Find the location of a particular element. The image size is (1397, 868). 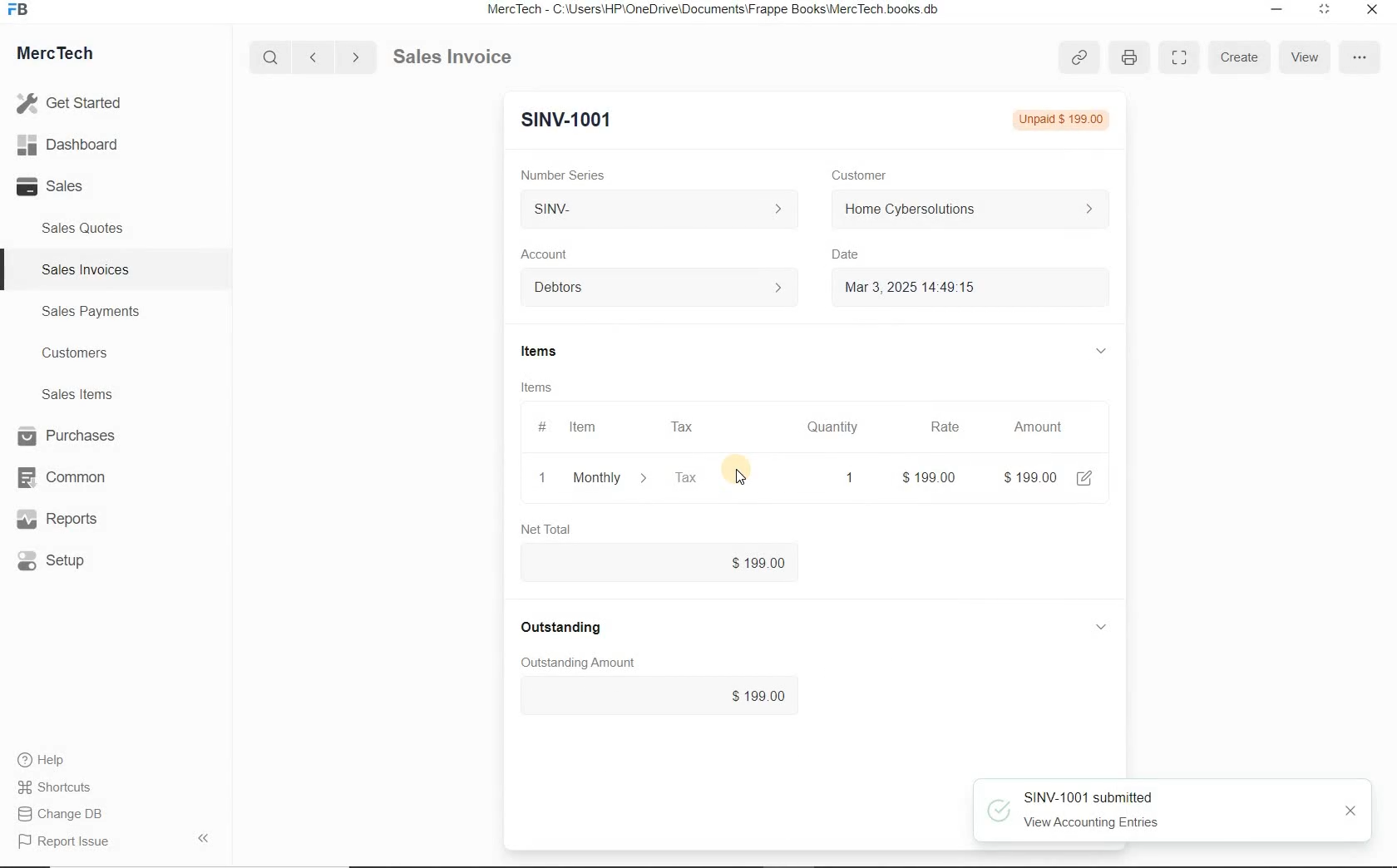

# is located at coordinates (540, 427).